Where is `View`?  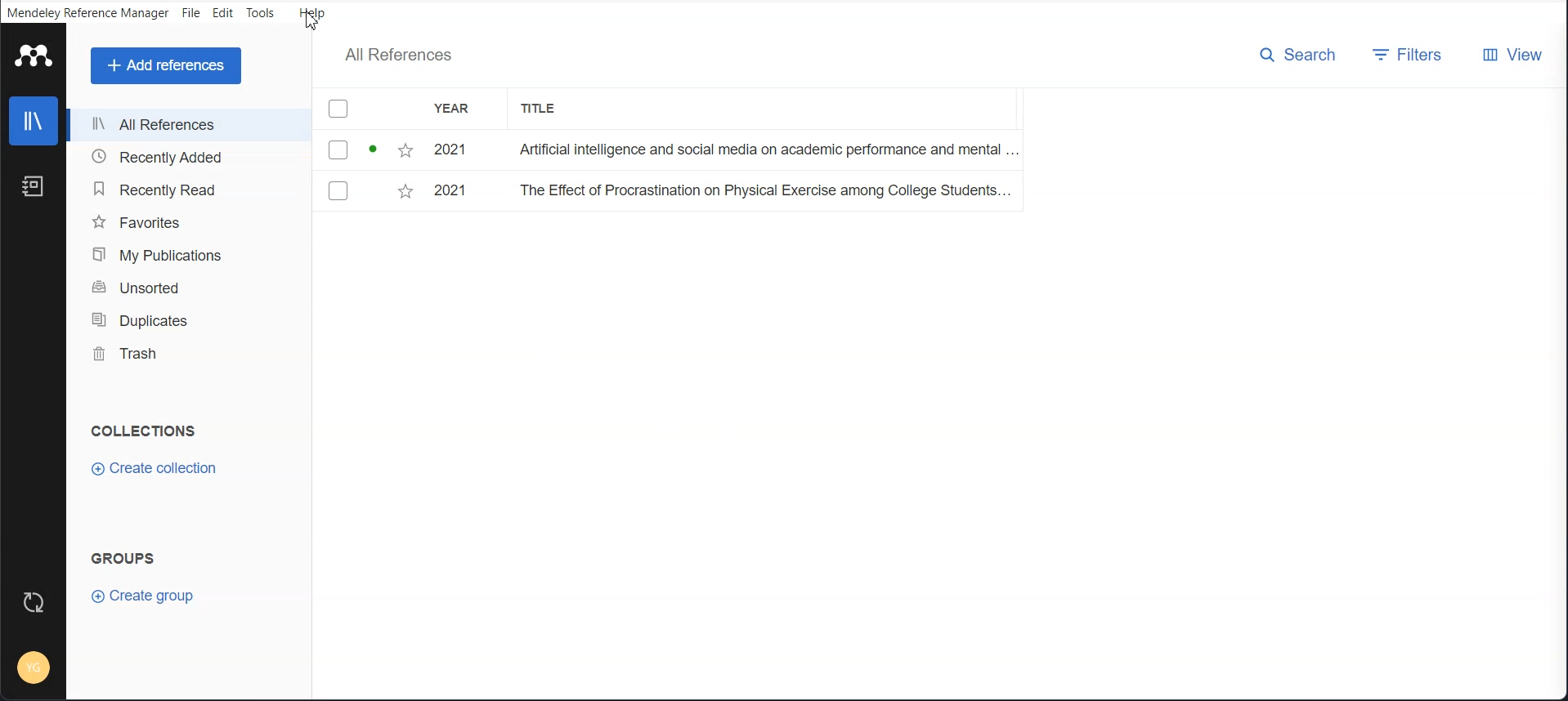
View is located at coordinates (1516, 56).